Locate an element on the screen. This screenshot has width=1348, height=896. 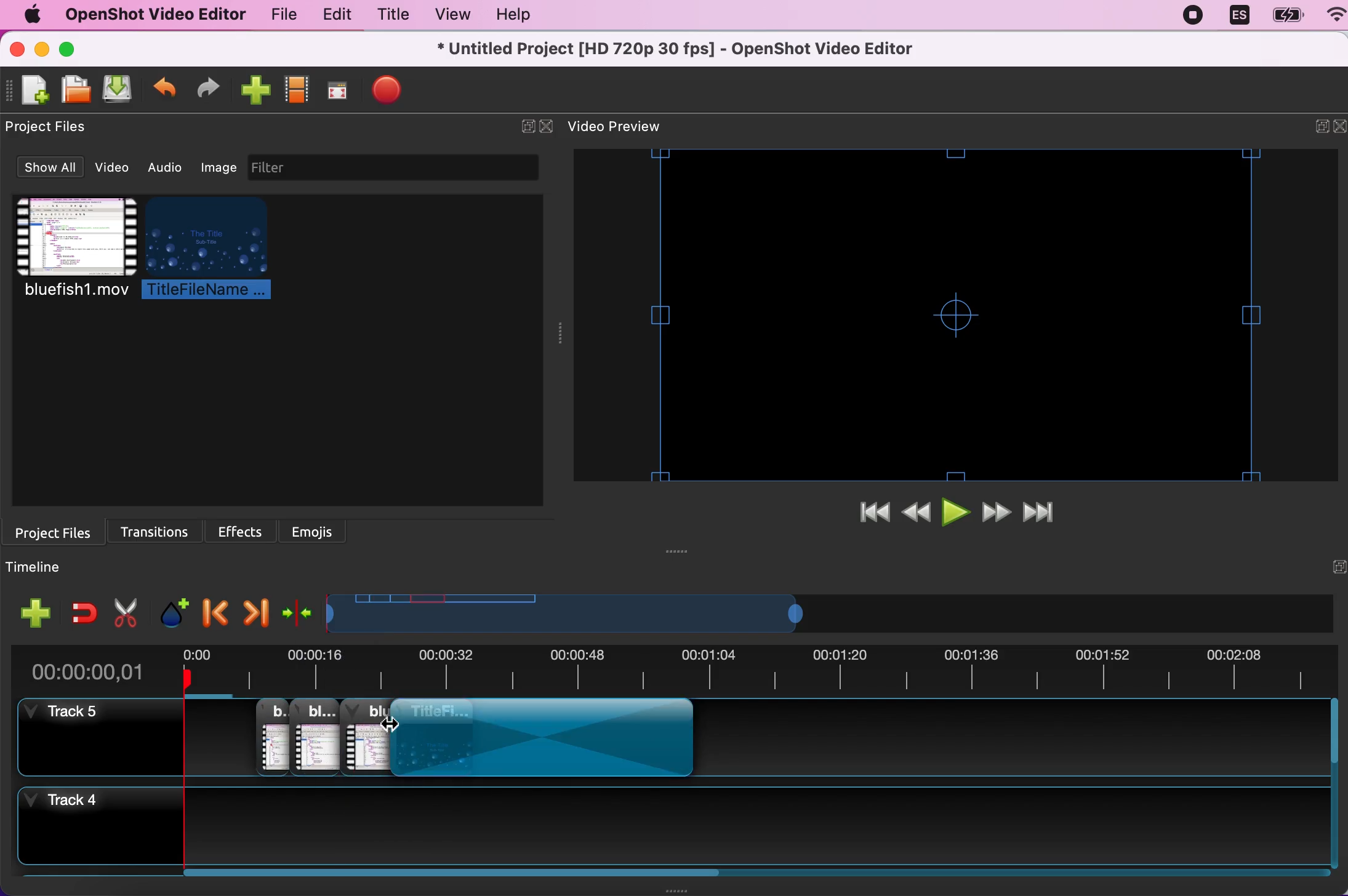
wifi is located at coordinates (1330, 17).